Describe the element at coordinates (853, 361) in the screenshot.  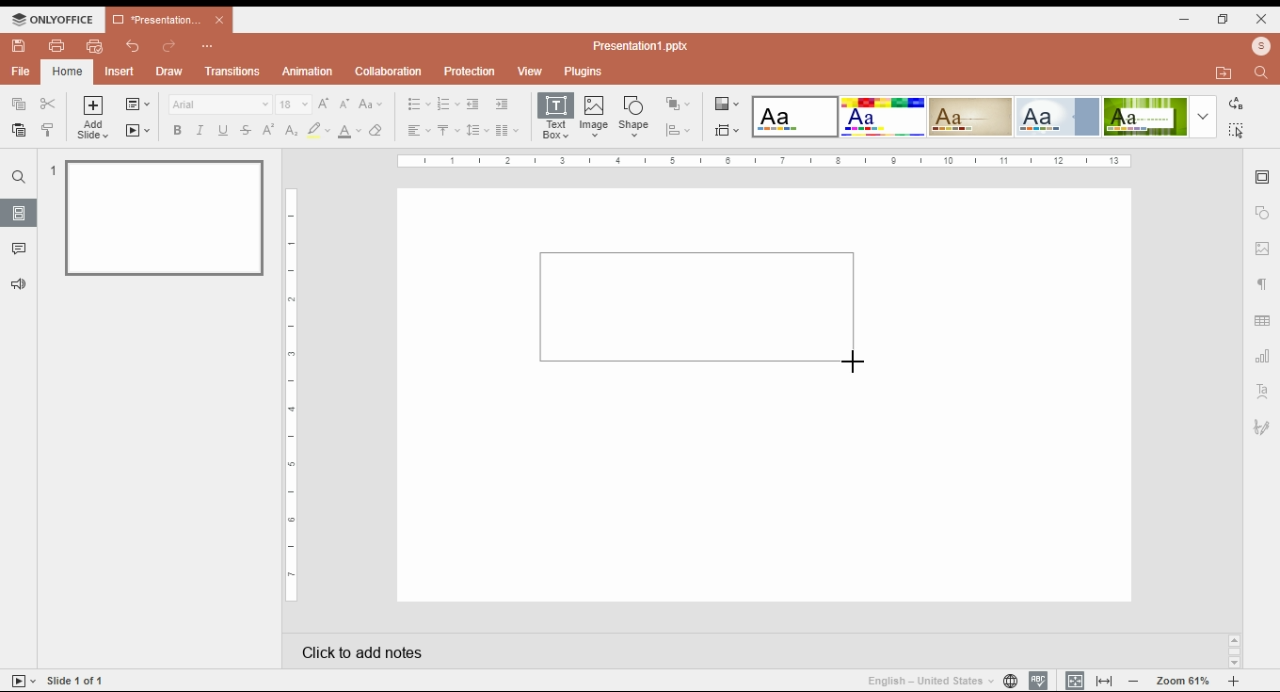
I see `mouse pointer` at that location.